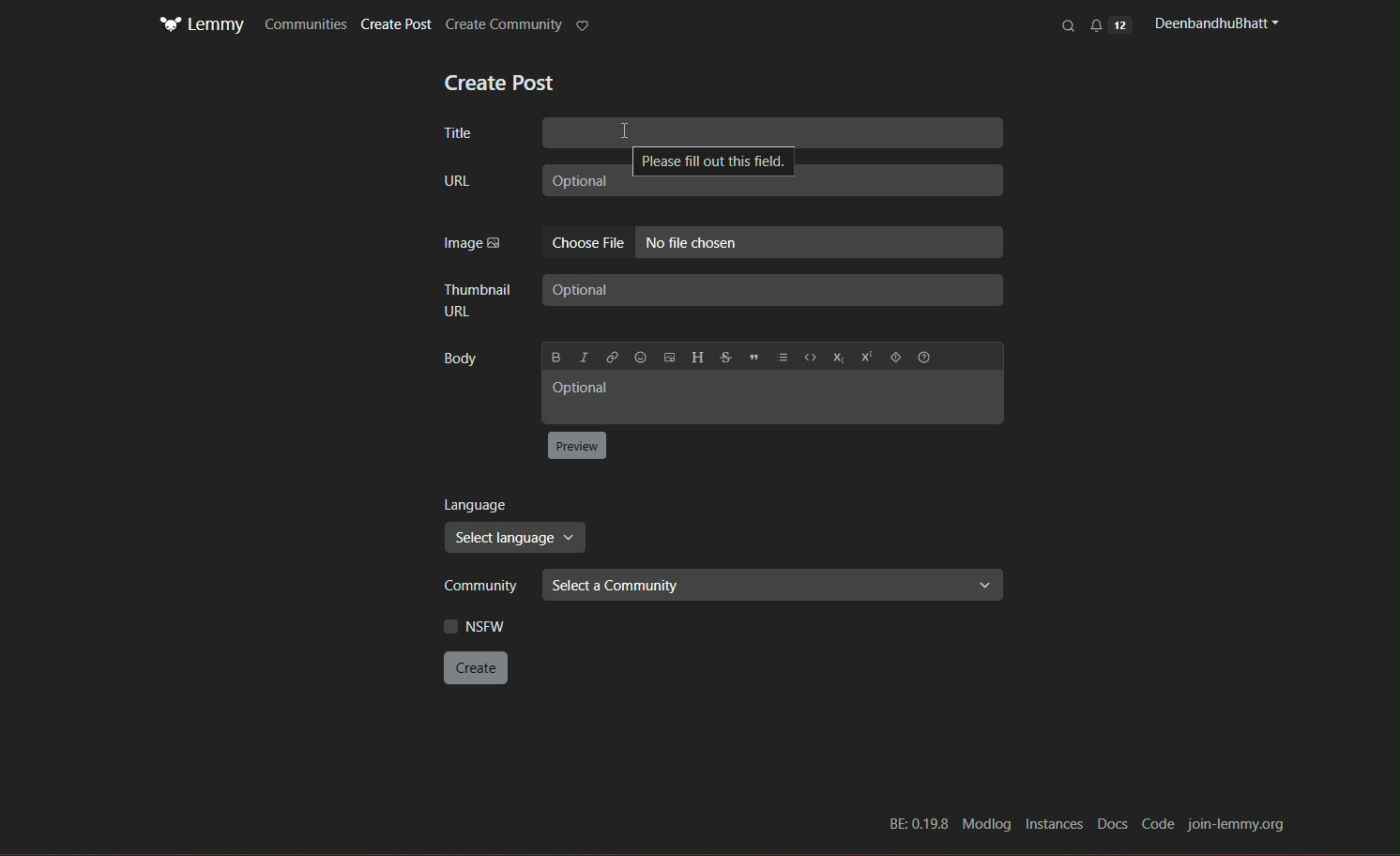 The image size is (1400, 856). What do you see at coordinates (641, 357) in the screenshot?
I see `Emoji` at bounding box center [641, 357].